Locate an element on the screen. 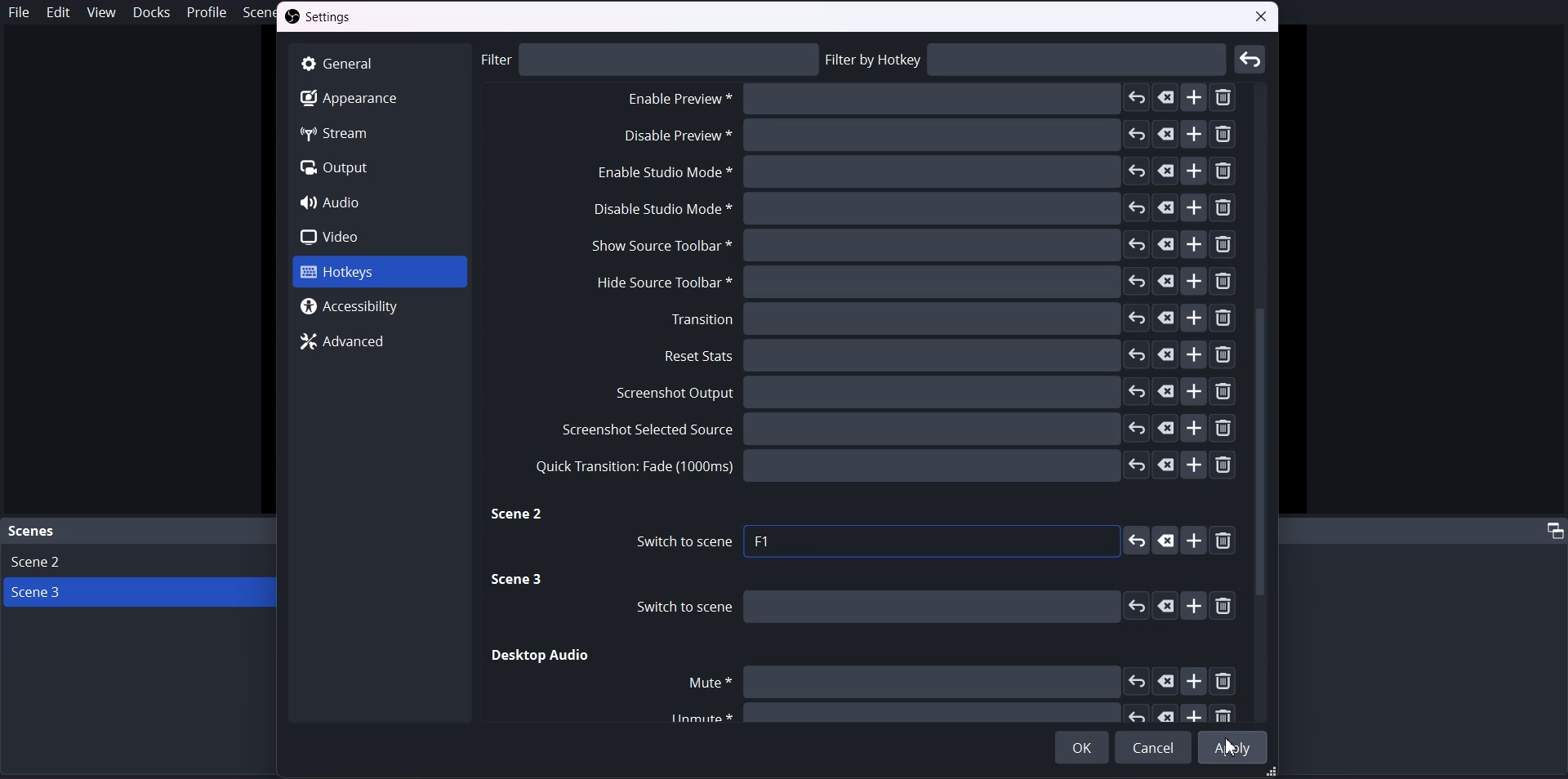 This screenshot has width=1568, height=779. Accessibility is located at coordinates (381, 306).